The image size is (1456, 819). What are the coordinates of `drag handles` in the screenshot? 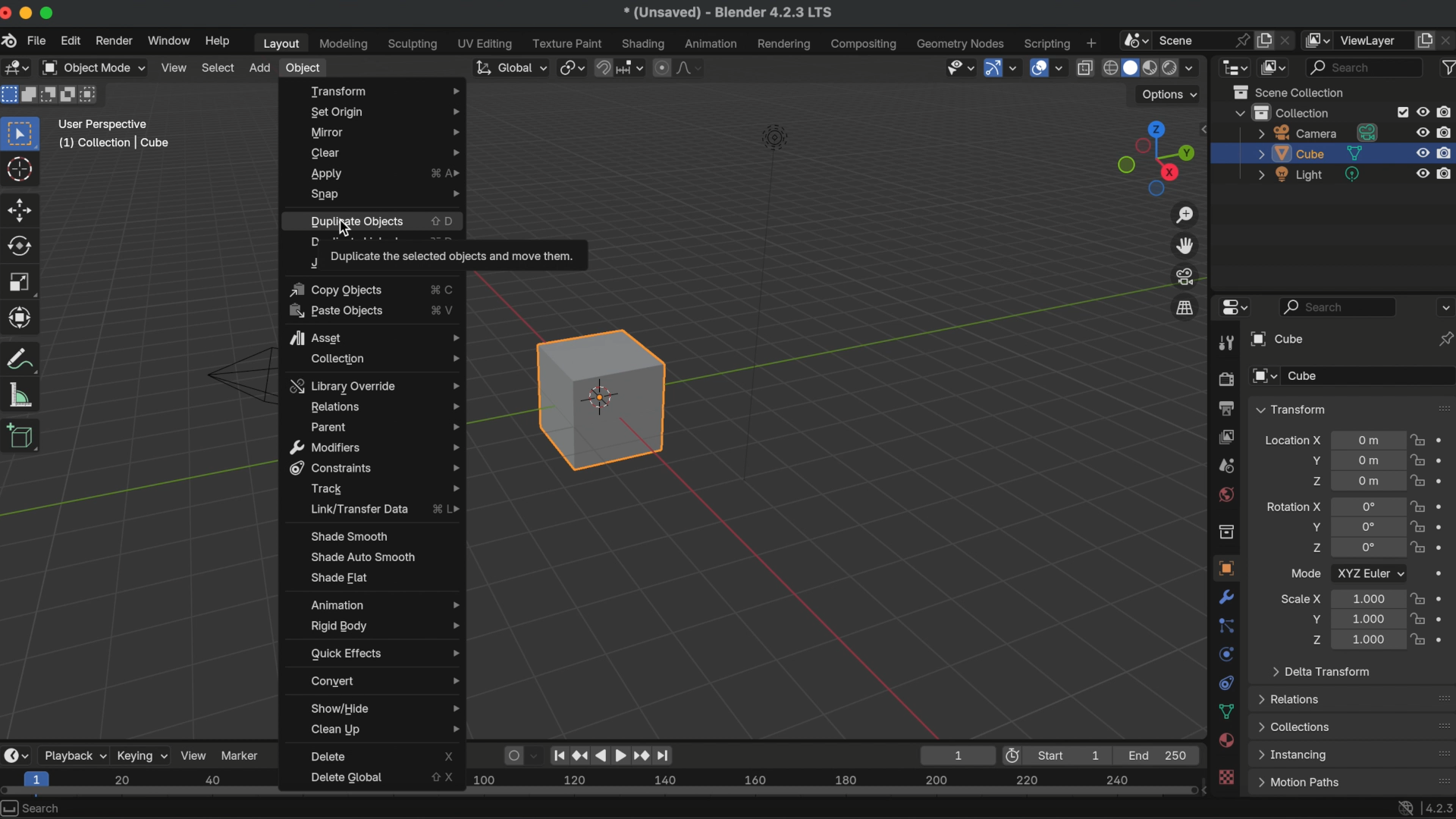 It's located at (1439, 778).